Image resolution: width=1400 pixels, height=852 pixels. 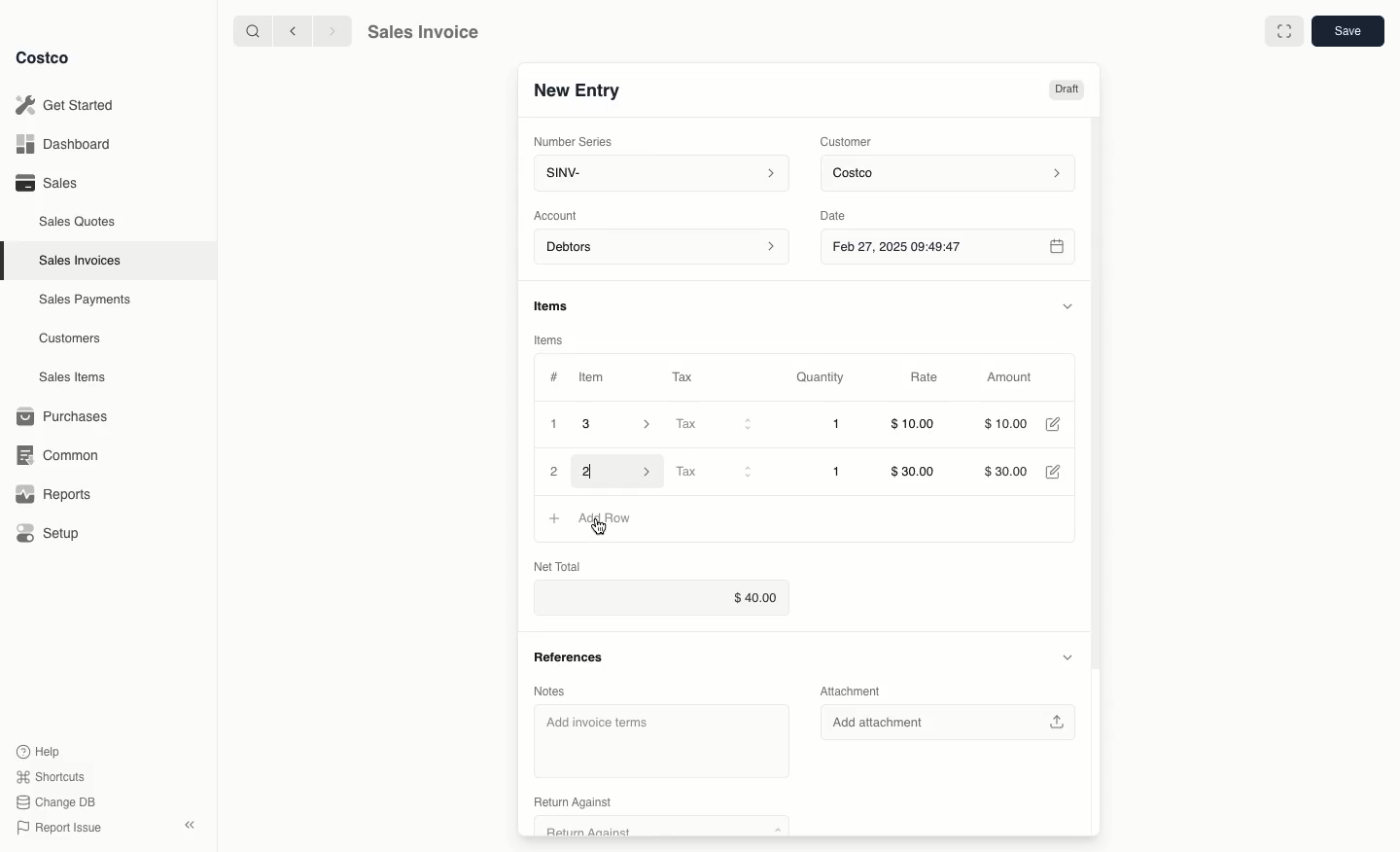 I want to click on ‘Sales Payments, so click(x=85, y=298).